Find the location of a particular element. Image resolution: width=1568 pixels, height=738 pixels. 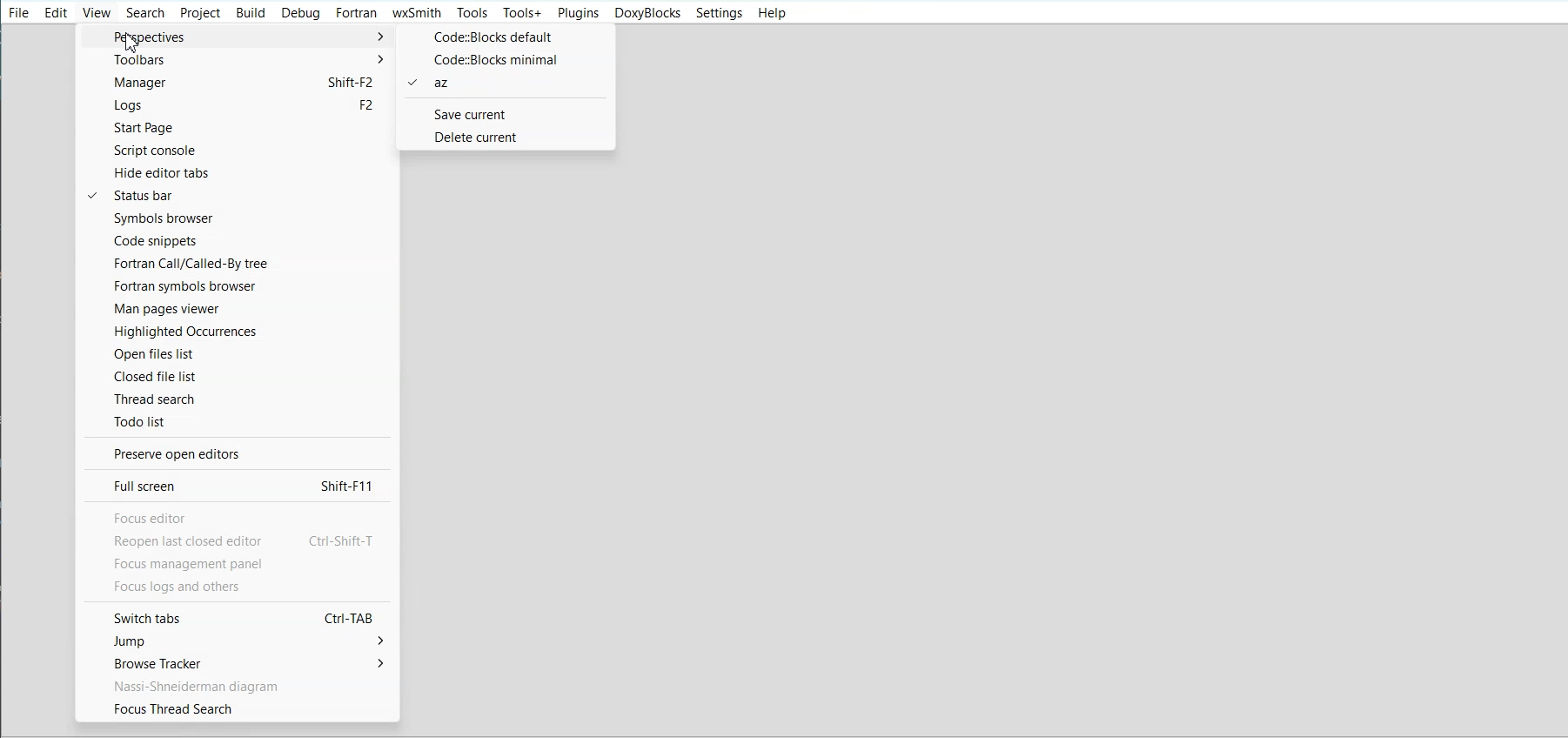

Code:: Blocks default is located at coordinates (502, 38).